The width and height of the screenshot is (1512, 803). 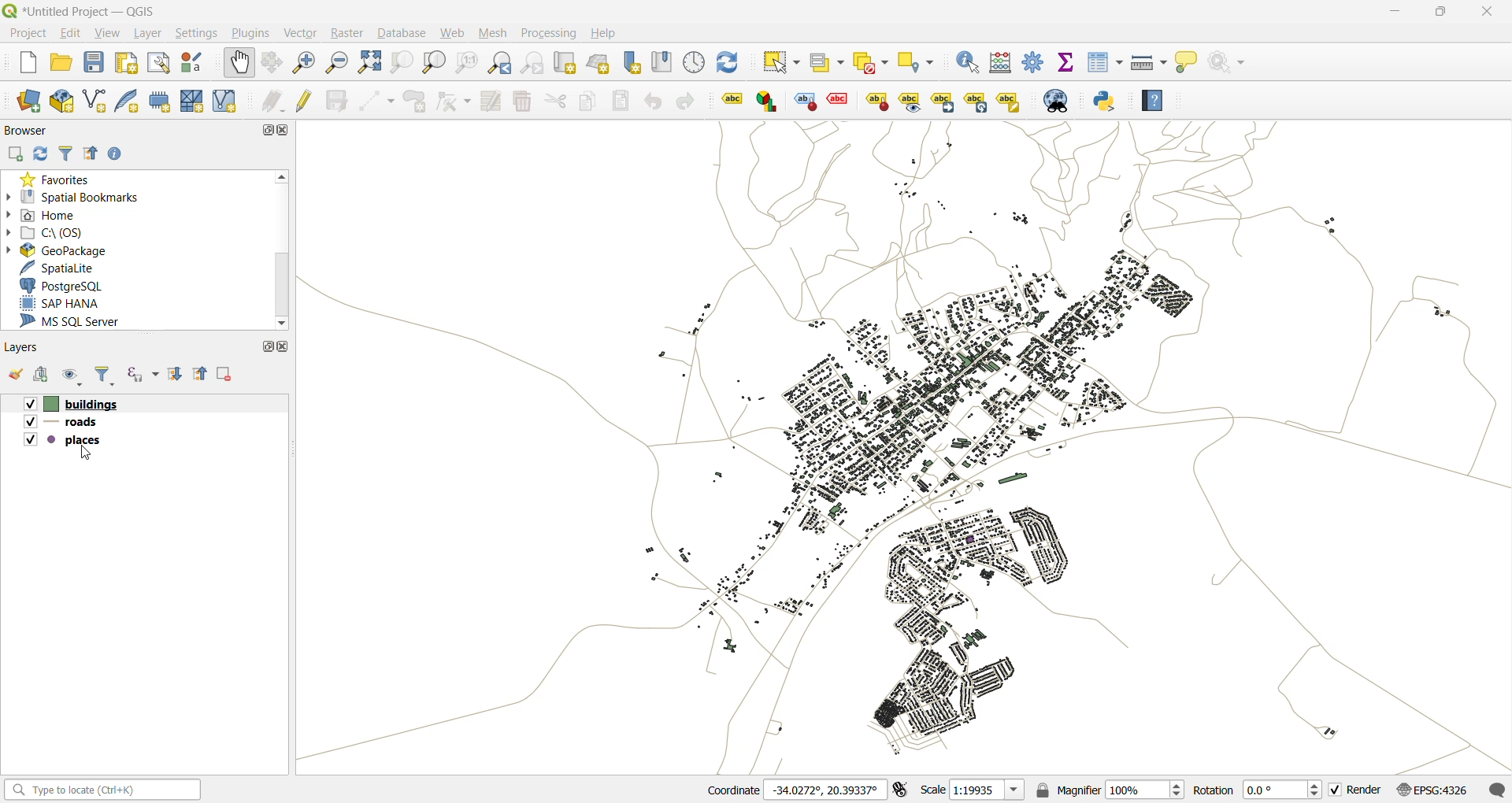 What do you see at coordinates (551, 35) in the screenshot?
I see `processing` at bounding box center [551, 35].